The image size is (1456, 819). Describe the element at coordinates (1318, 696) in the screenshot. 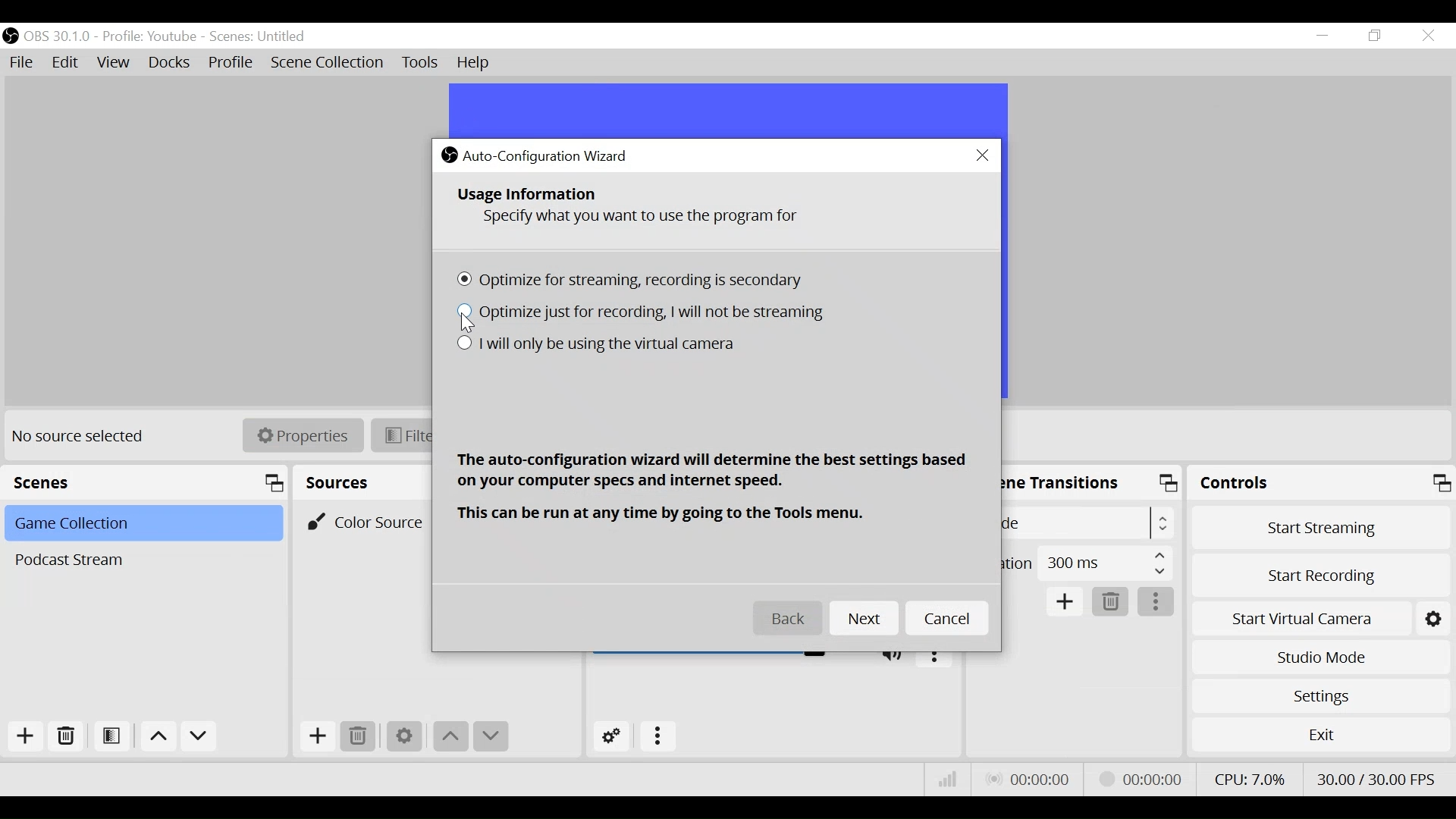

I see `Settings` at that location.